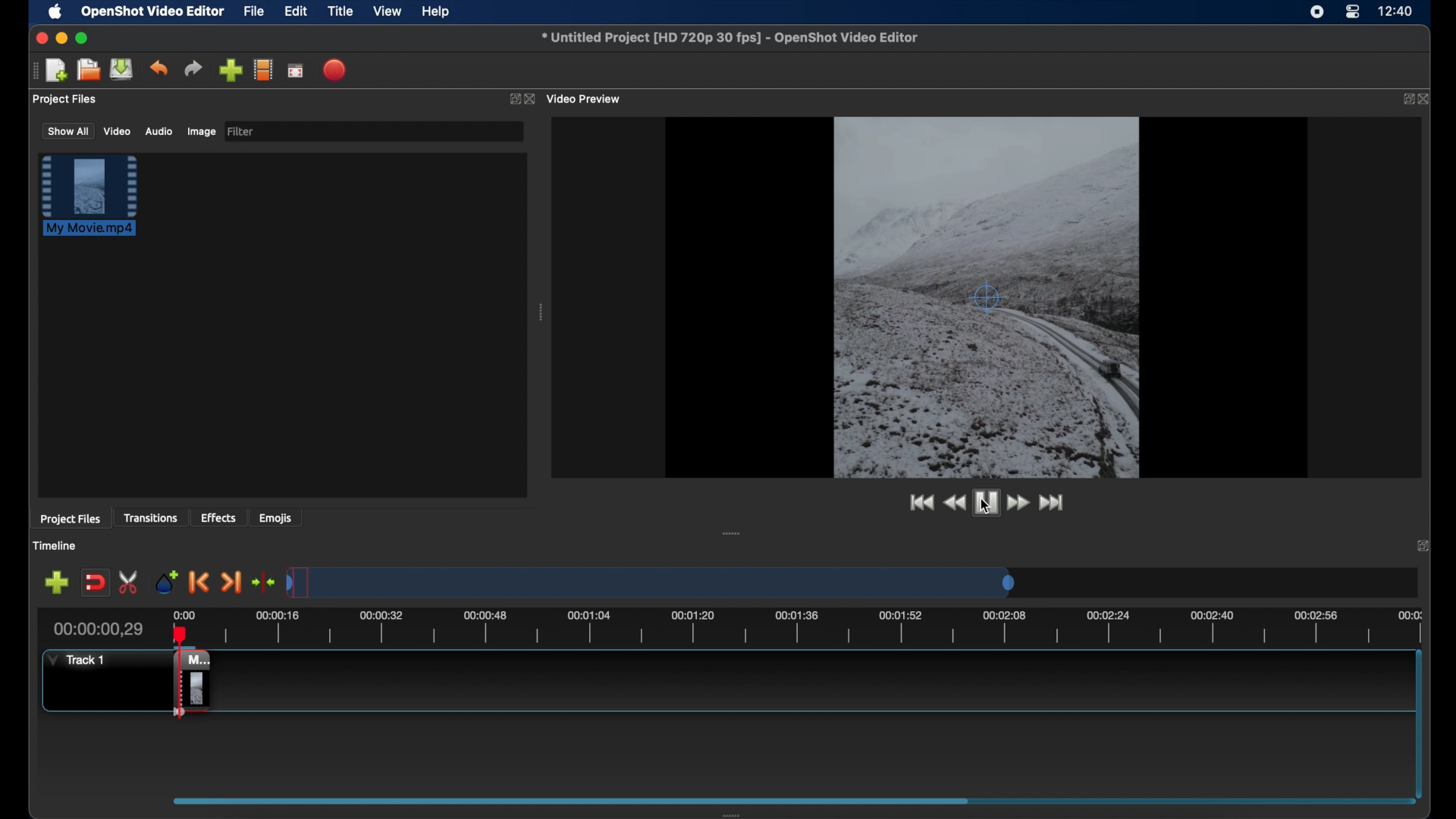 This screenshot has height=819, width=1456. I want to click on scroll box, so click(571, 795).